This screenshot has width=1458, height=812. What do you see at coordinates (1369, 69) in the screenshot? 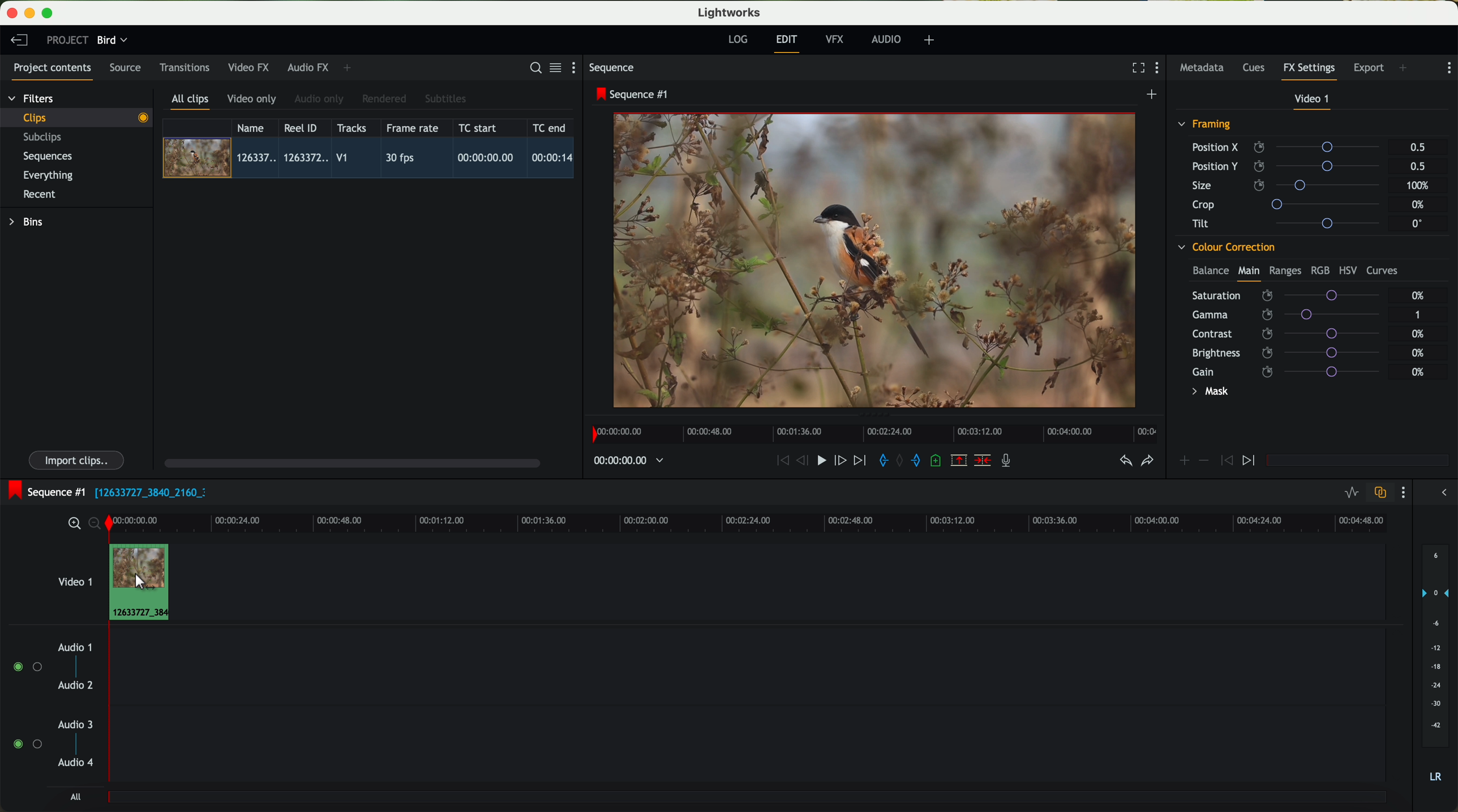
I see `export` at bounding box center [1369, 69].